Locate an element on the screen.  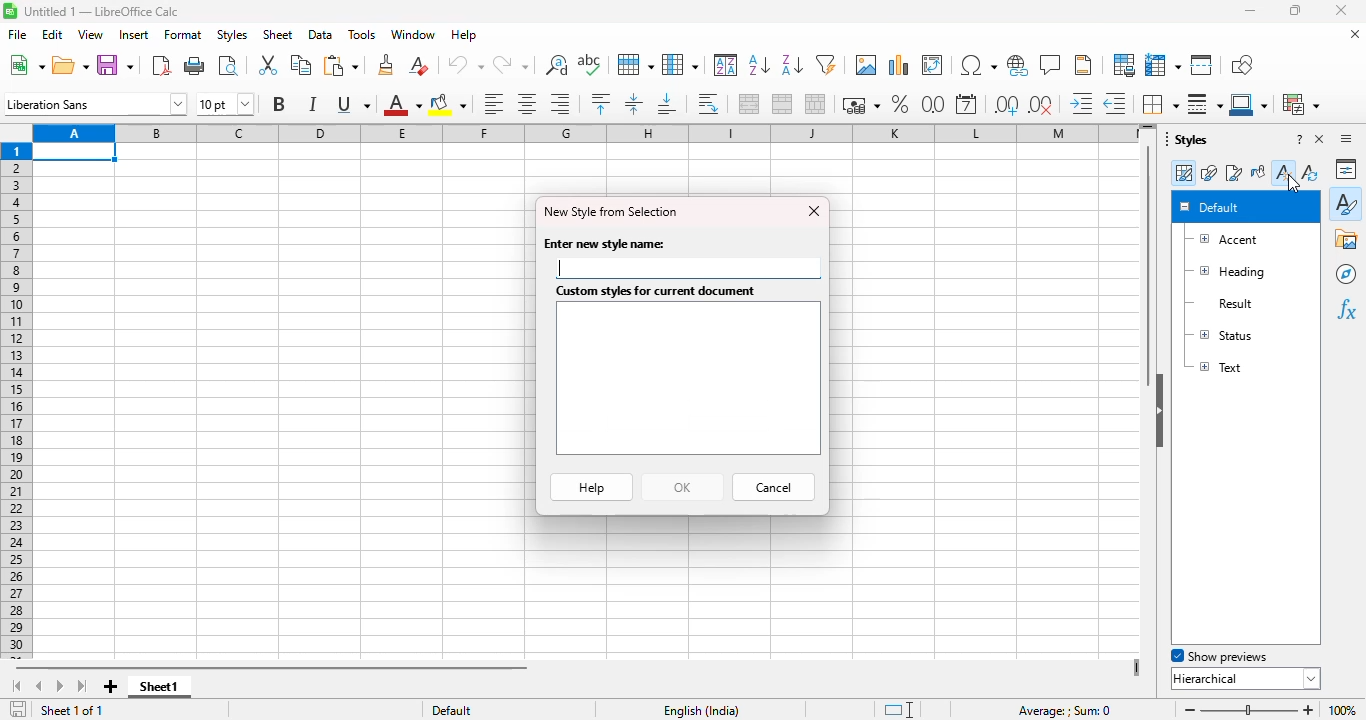
format as percent is located at coordinates (900, 104).